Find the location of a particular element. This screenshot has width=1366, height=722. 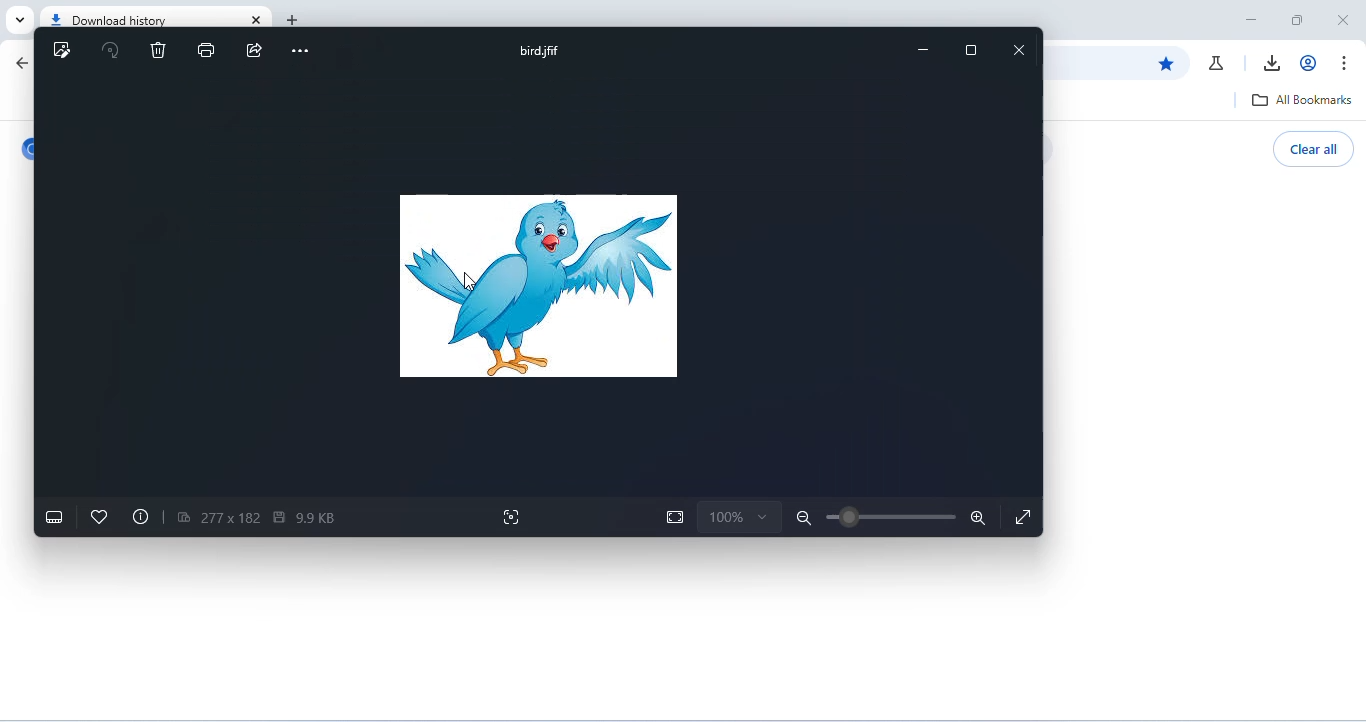

image size is located at coordinates (262, 517).